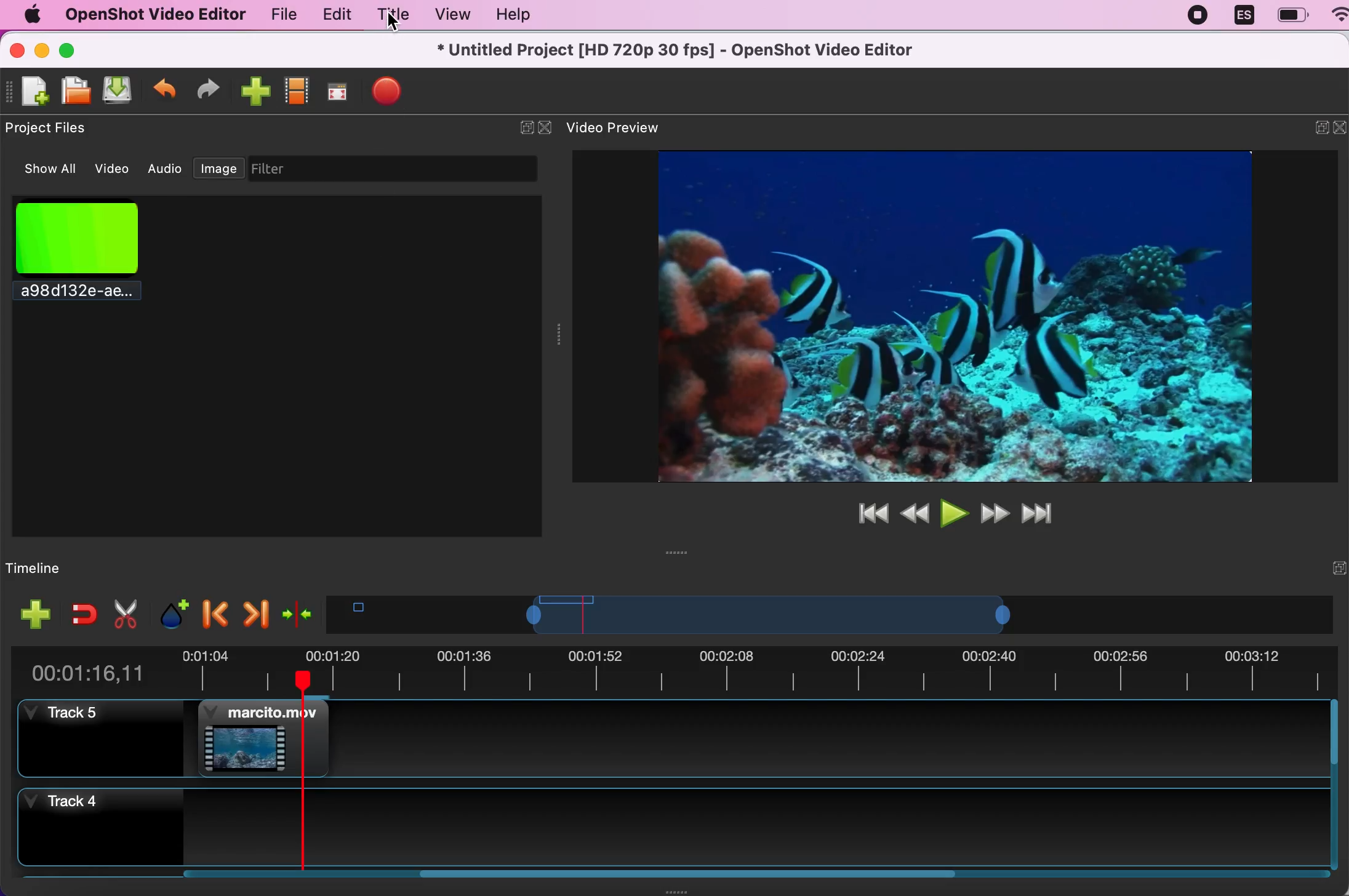 This screenshot has width=1349, height=896. Describe the element at coordinates (31, 14) in the screenshot. I see `mac logo` at that location.